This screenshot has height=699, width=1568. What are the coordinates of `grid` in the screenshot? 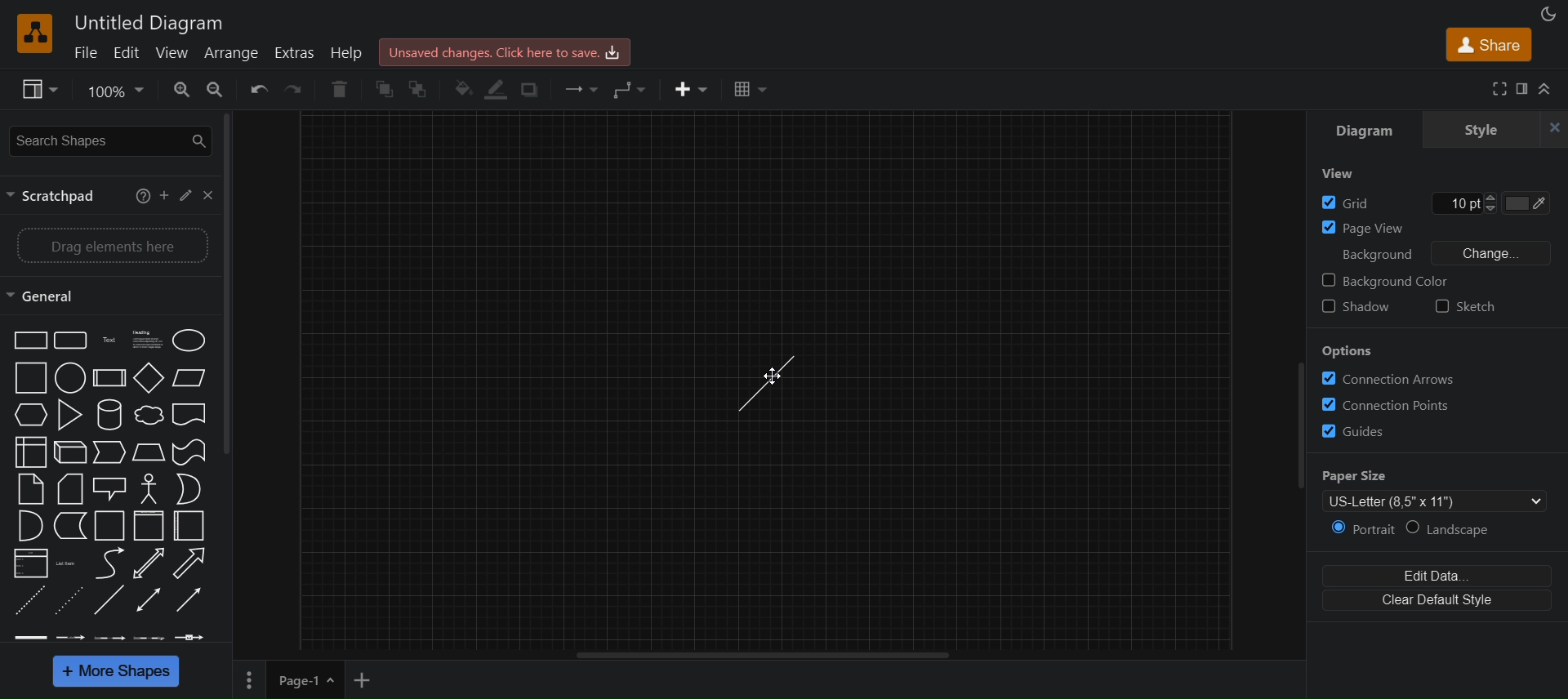 It's located at (1348, 203).